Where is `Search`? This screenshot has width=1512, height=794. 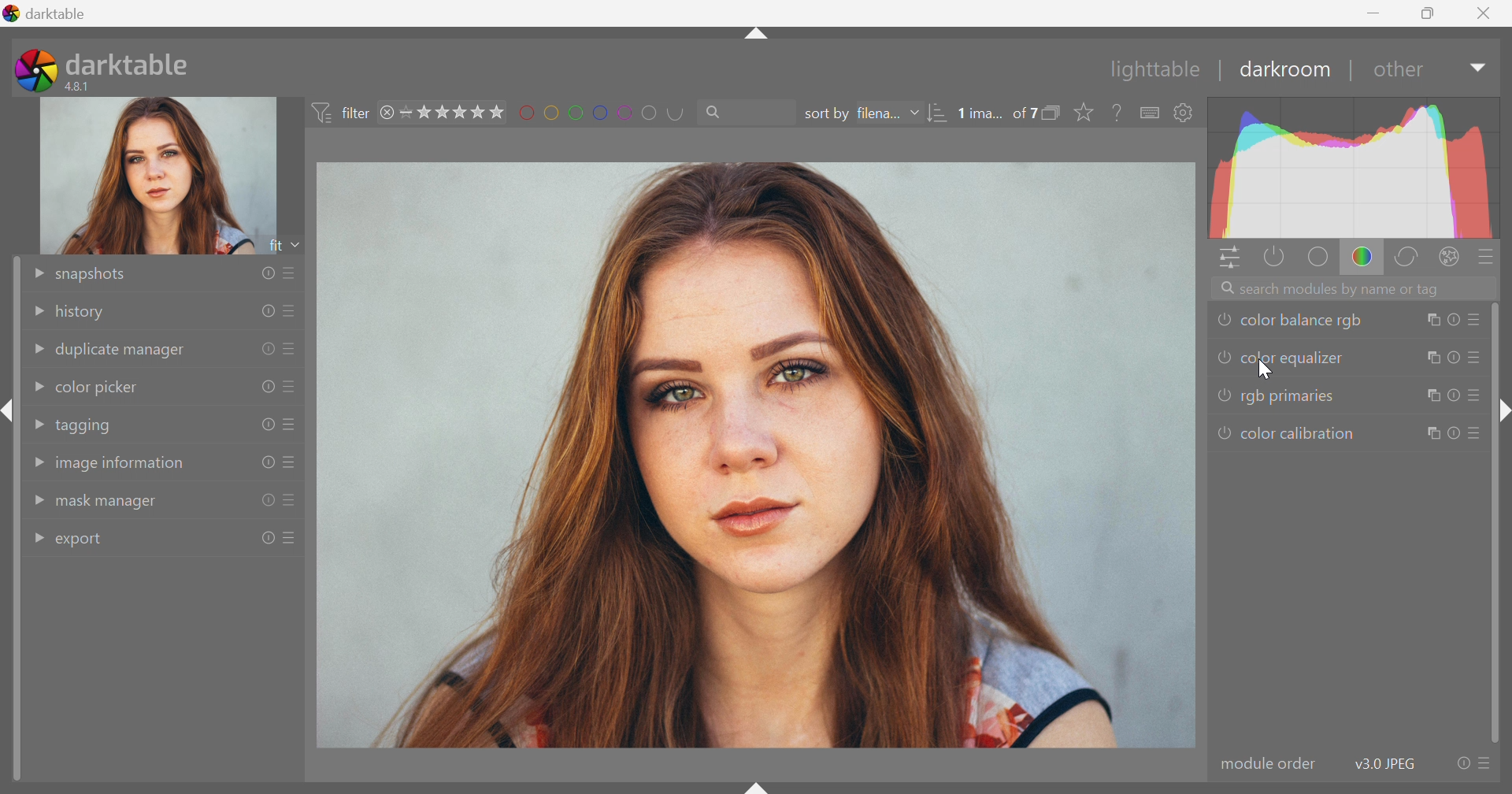
Search is located at coordinates (720, 113).